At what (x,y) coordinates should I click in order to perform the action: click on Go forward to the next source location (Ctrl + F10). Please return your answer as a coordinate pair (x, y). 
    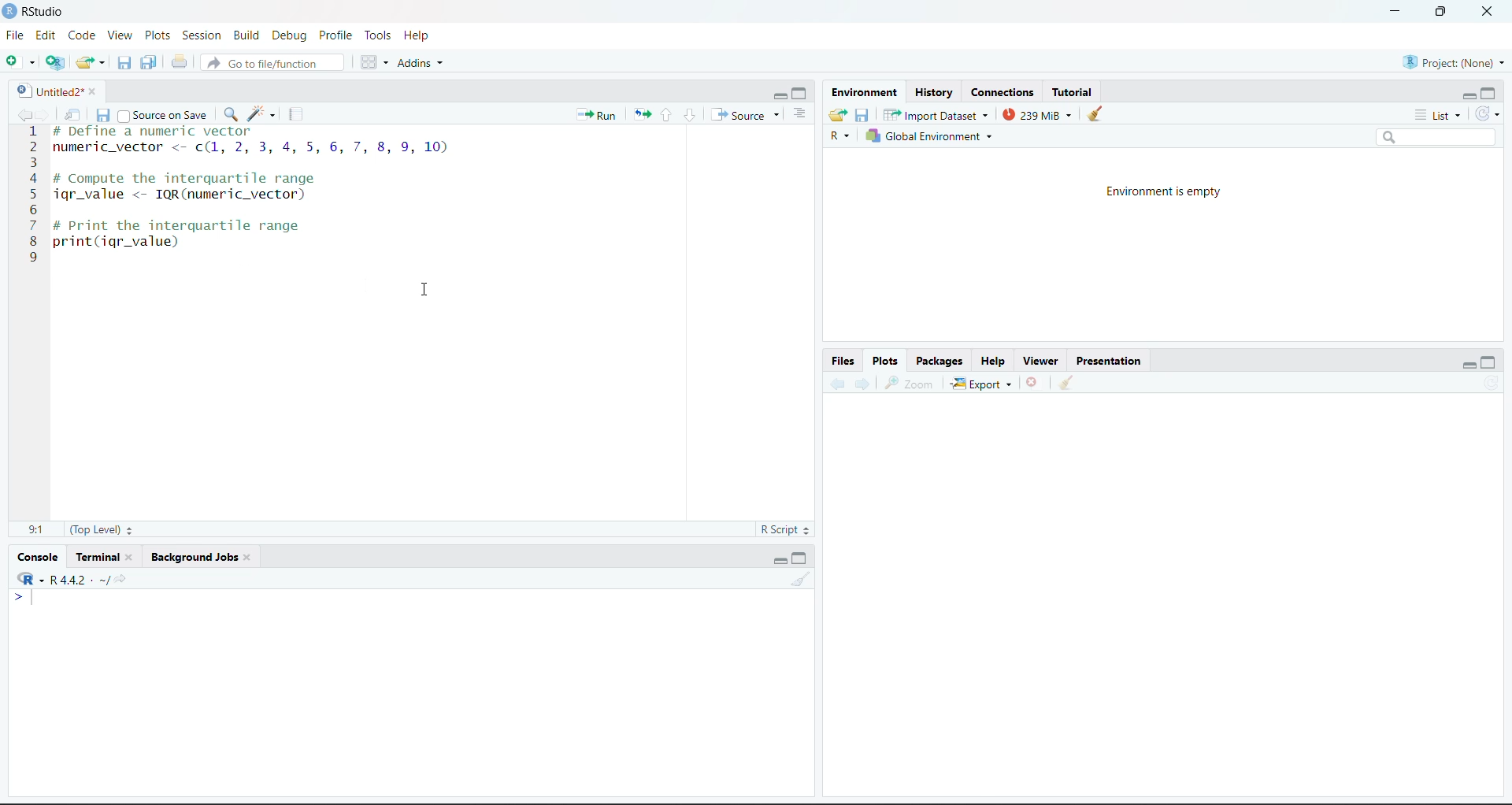
    Looking at the image, I should click on (45, 113).